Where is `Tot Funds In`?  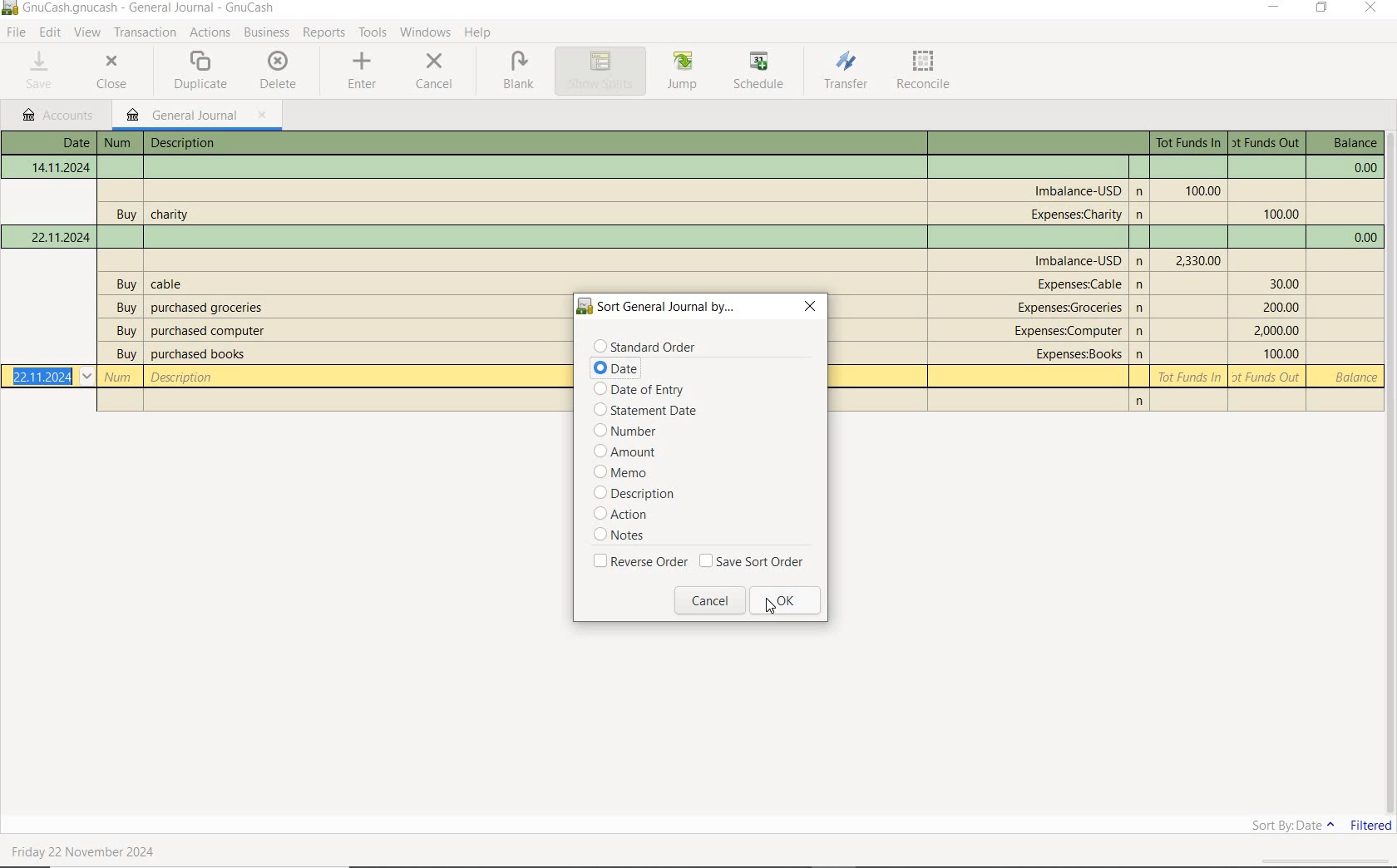
Tot Funds In is located at coordinates (1197, 260).